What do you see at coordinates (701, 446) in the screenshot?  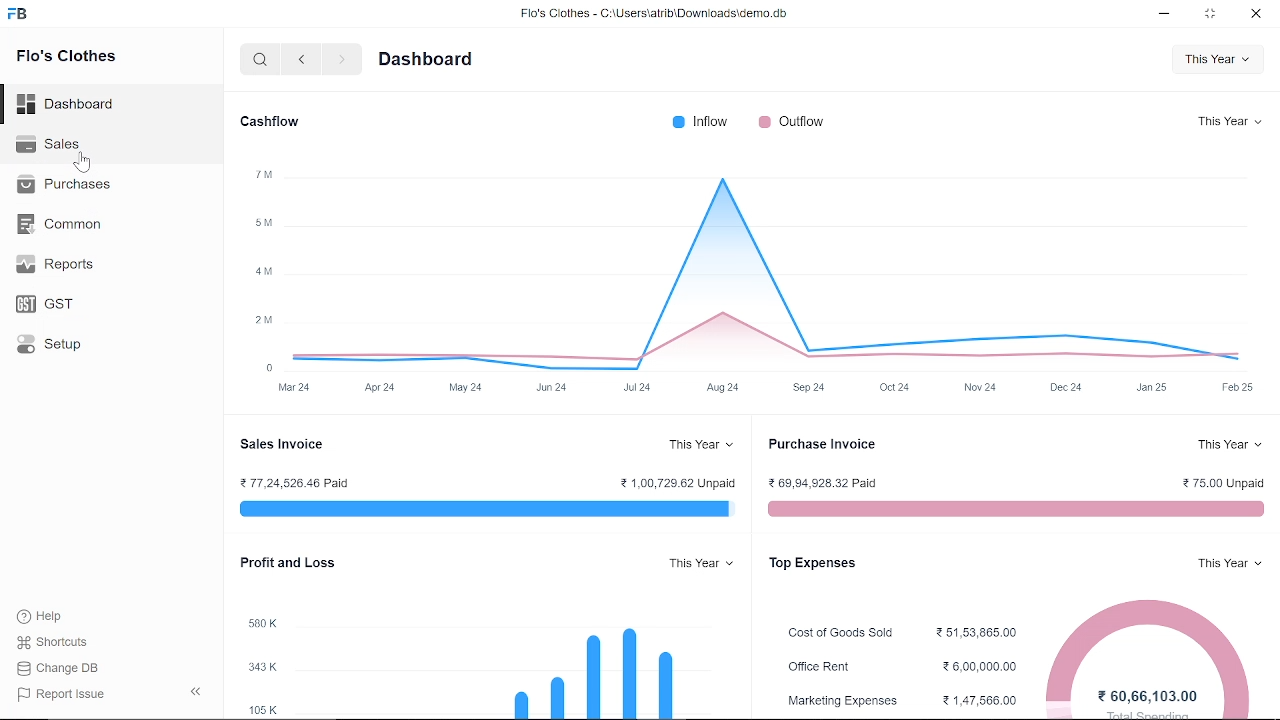 I see `This Year` at bounding box center [701, 446].